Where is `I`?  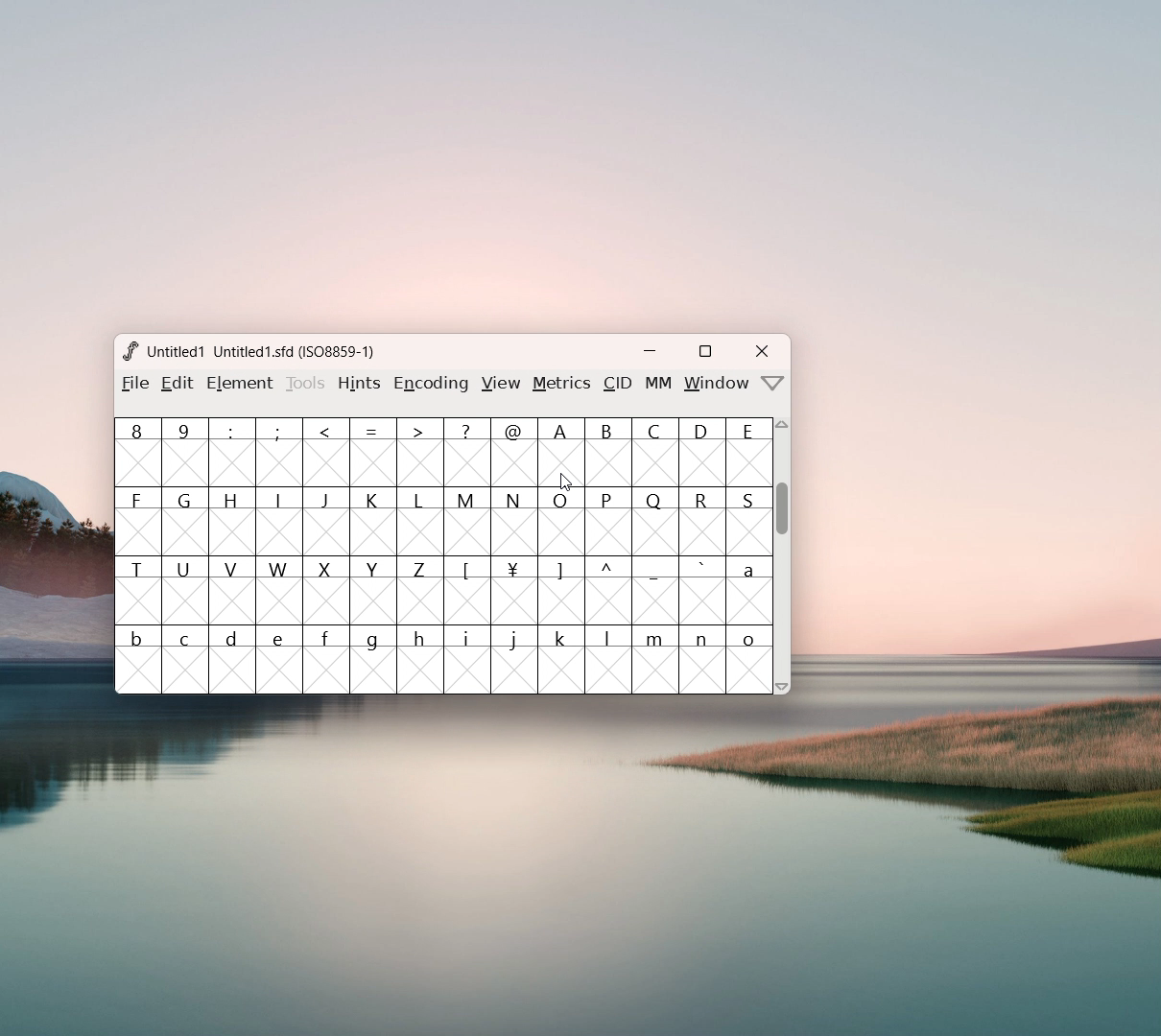
I is located at coordinates (279, 521).